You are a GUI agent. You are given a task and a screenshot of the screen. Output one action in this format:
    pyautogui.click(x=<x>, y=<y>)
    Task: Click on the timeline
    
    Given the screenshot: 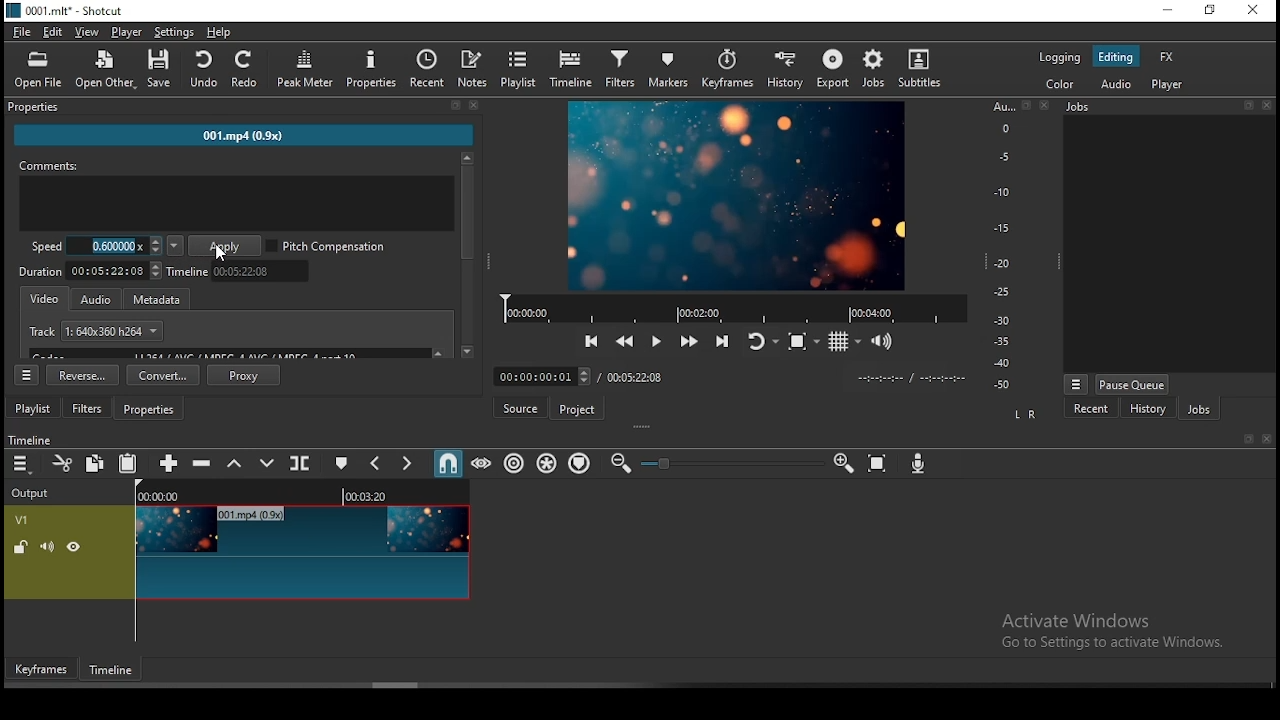 What is the action you would take?
    pyautogui.click(x=299, y=493)
    